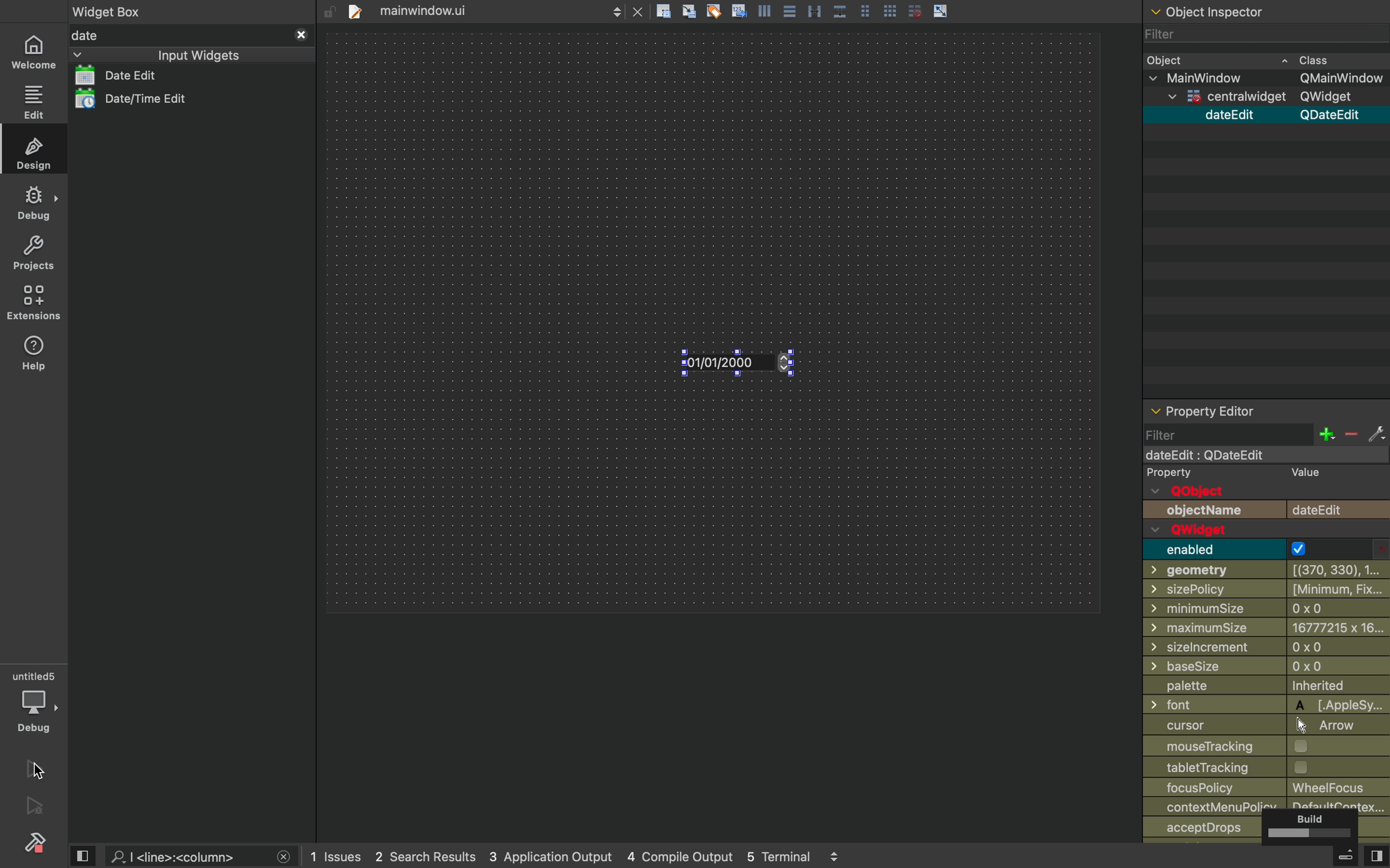 The width and height of the screenshot is (1390, 868). I want to click on tagging, so click(713, 10).